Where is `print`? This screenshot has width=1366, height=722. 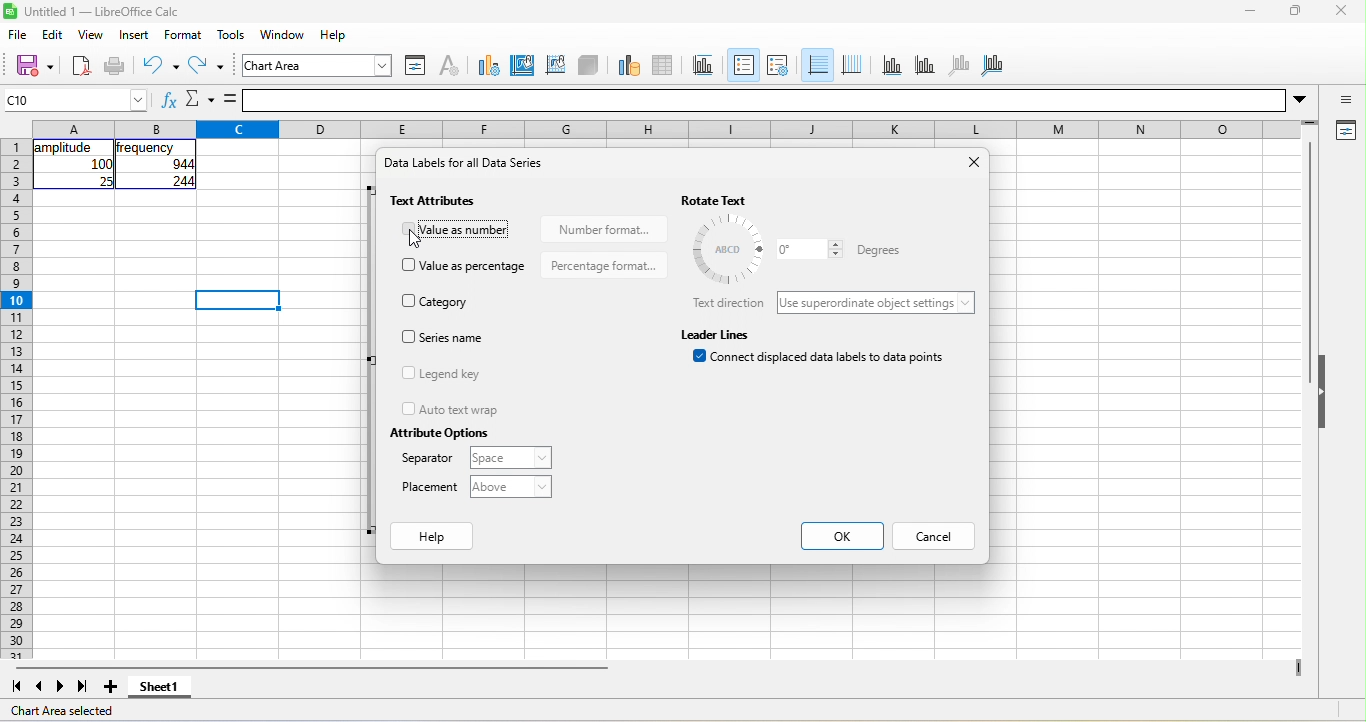 print is located at coordinates (115, 67).